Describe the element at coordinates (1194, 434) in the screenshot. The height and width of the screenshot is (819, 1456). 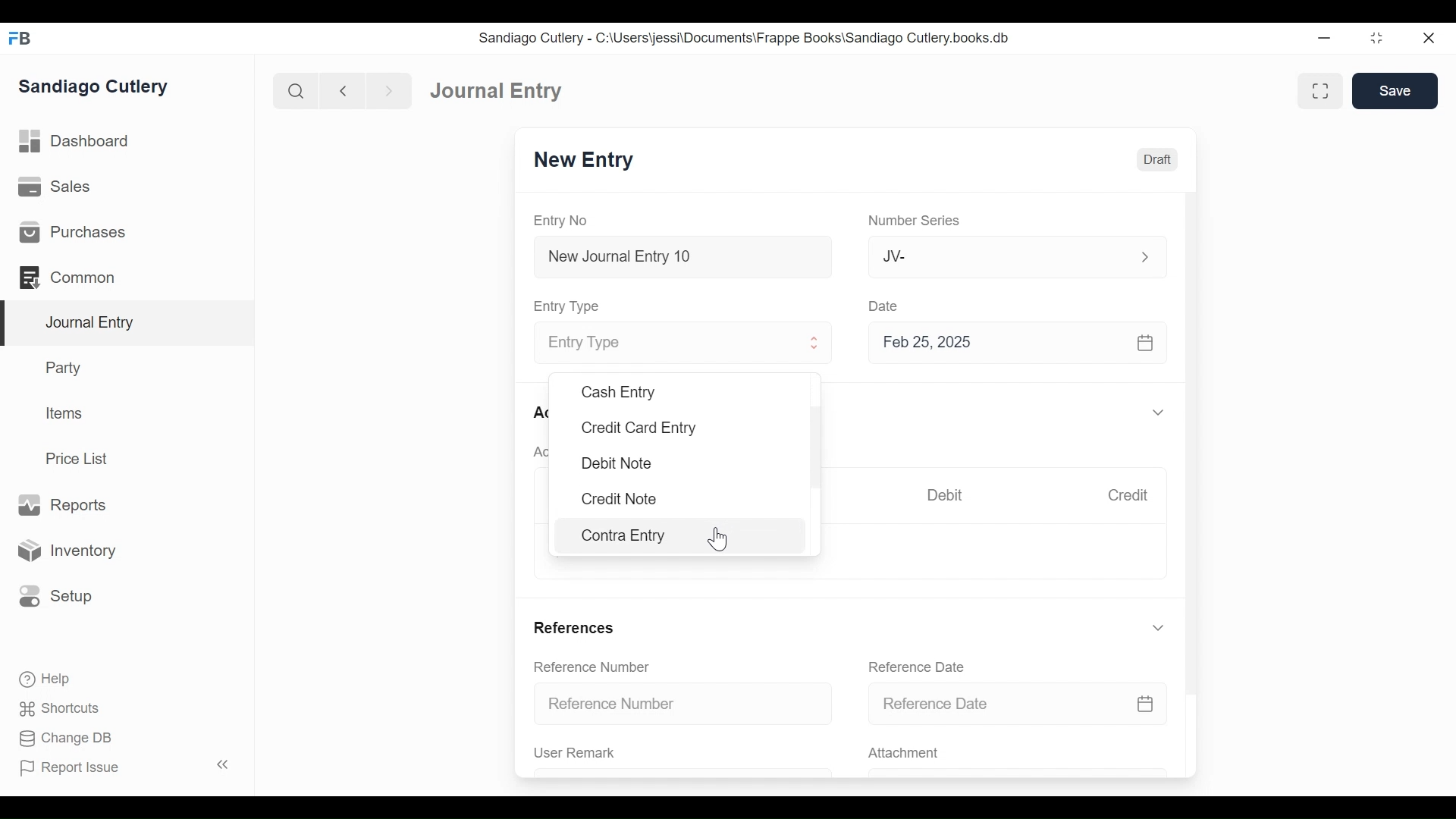
I see `Vertical Scroll bar` at that location.